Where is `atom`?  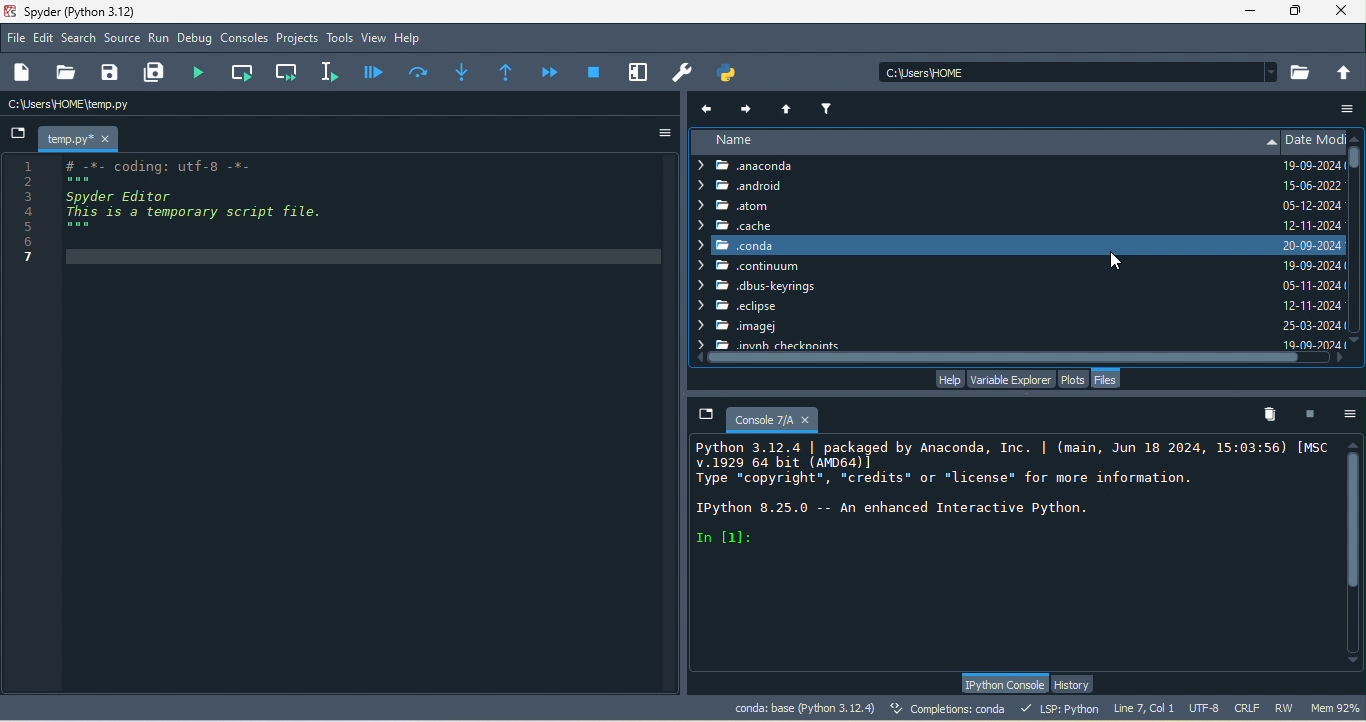
atom is located at coordinates (763, 206).